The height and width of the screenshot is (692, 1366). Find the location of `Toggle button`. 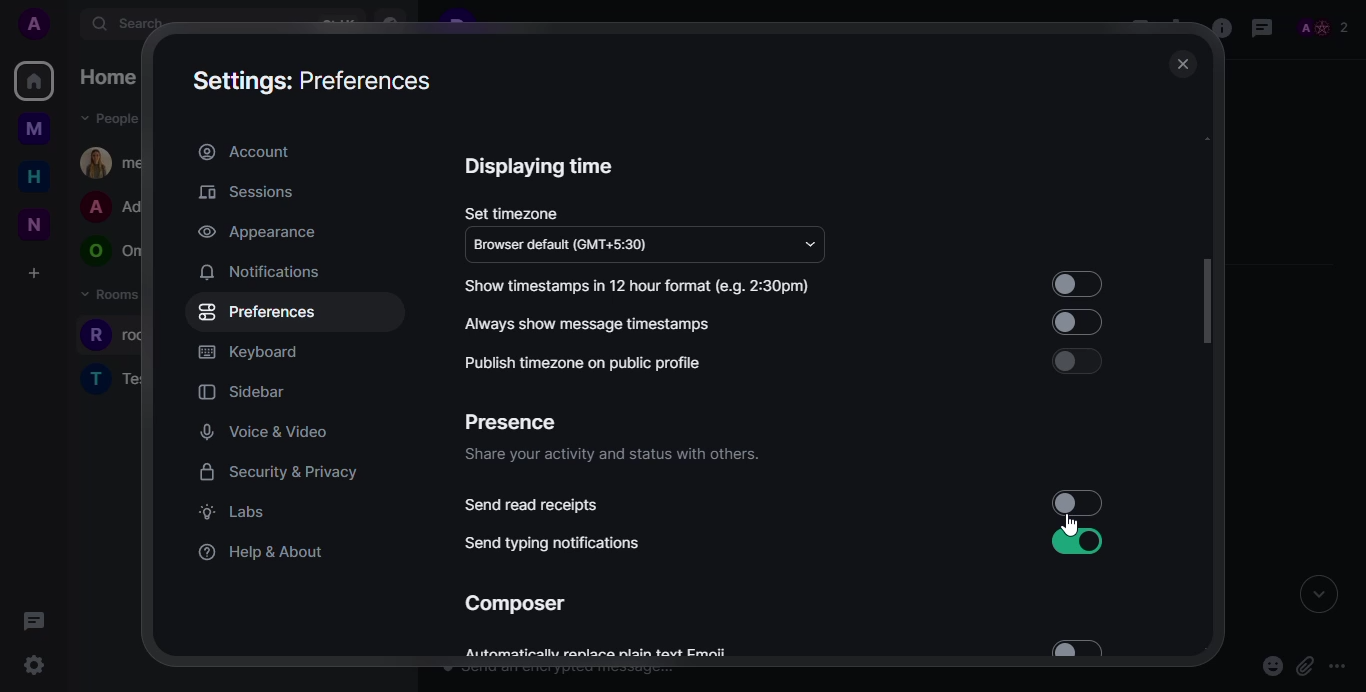

Toggle button is located at coordinates (1070, 324).